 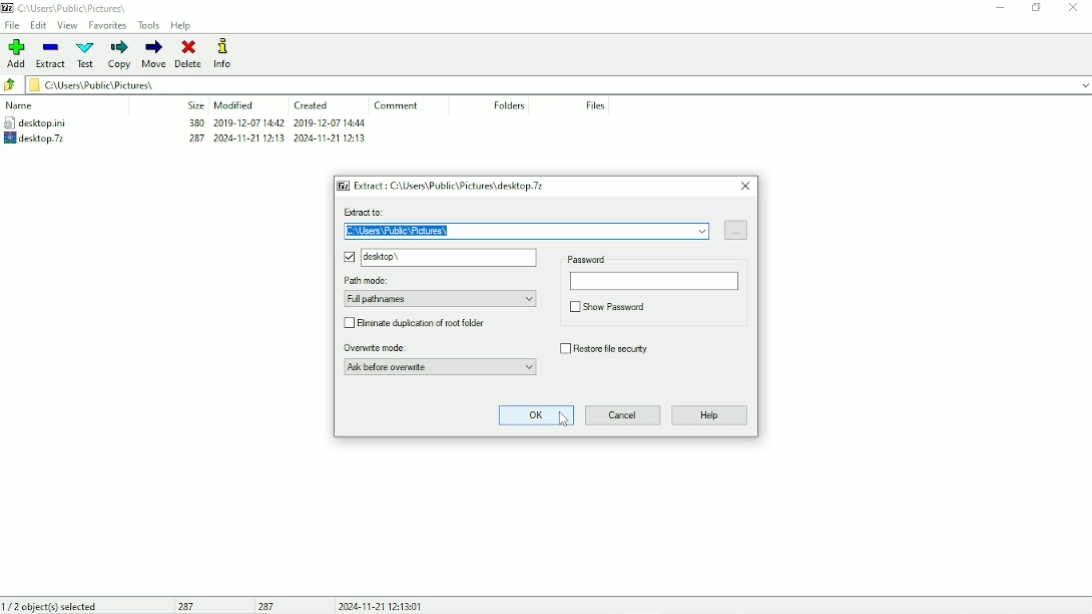 What do you see at coordinates (998, 9) in the screenshot?
I see `Minimize` at bounding box center [998, 9].